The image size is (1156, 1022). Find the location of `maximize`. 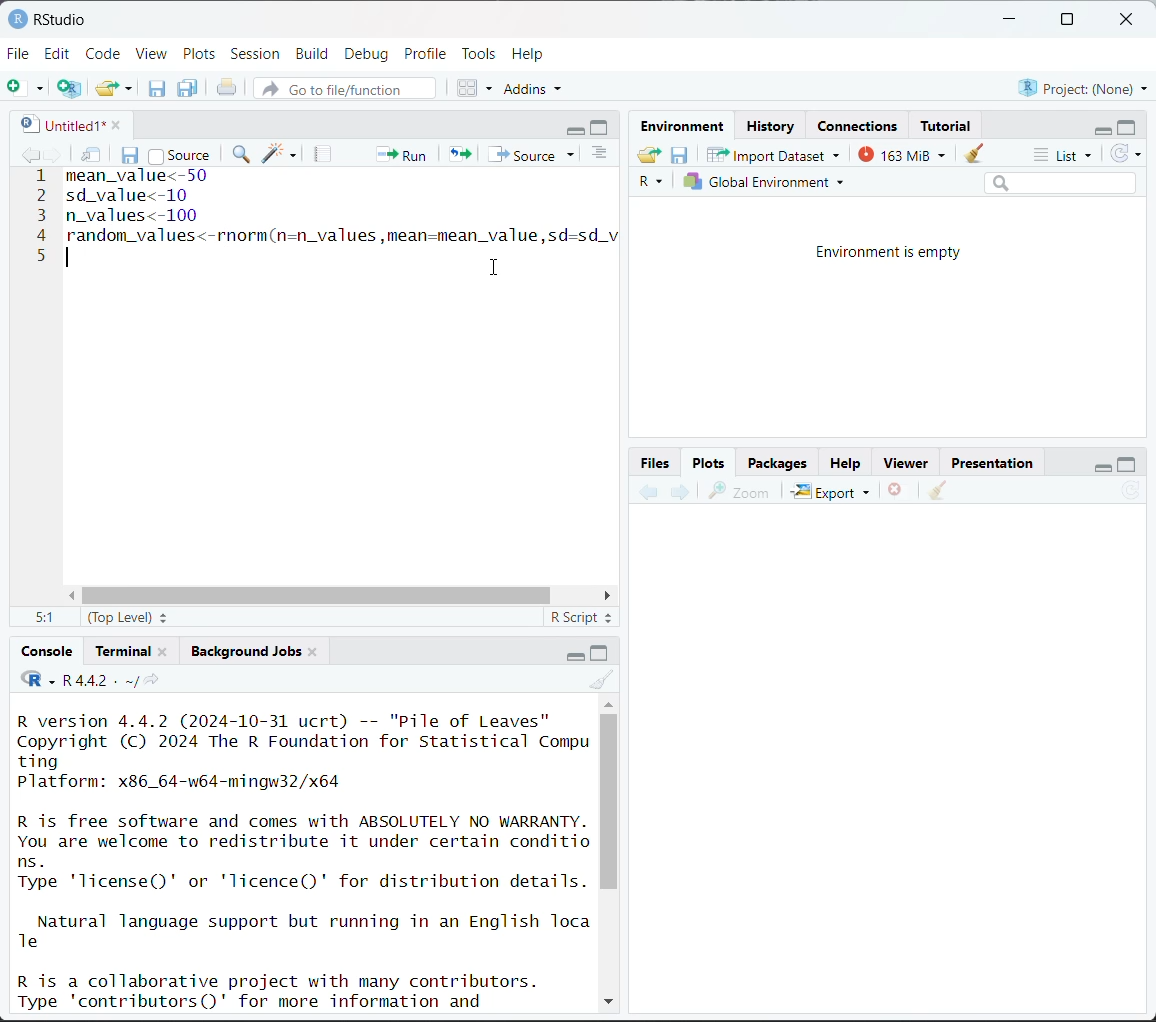

maximize is located at coordinates (602, 127).